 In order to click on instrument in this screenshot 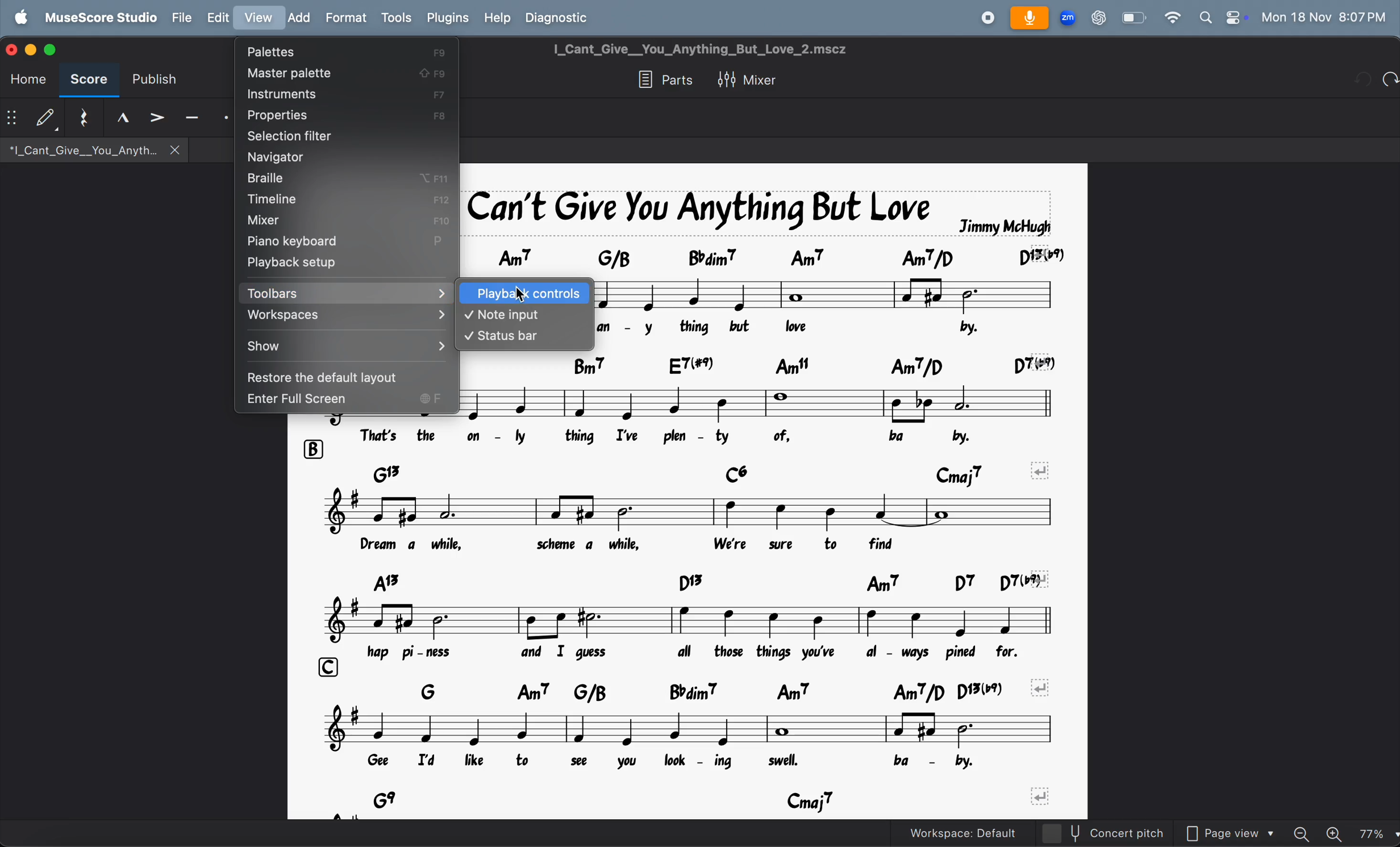, I will do `click(348, 94)`.